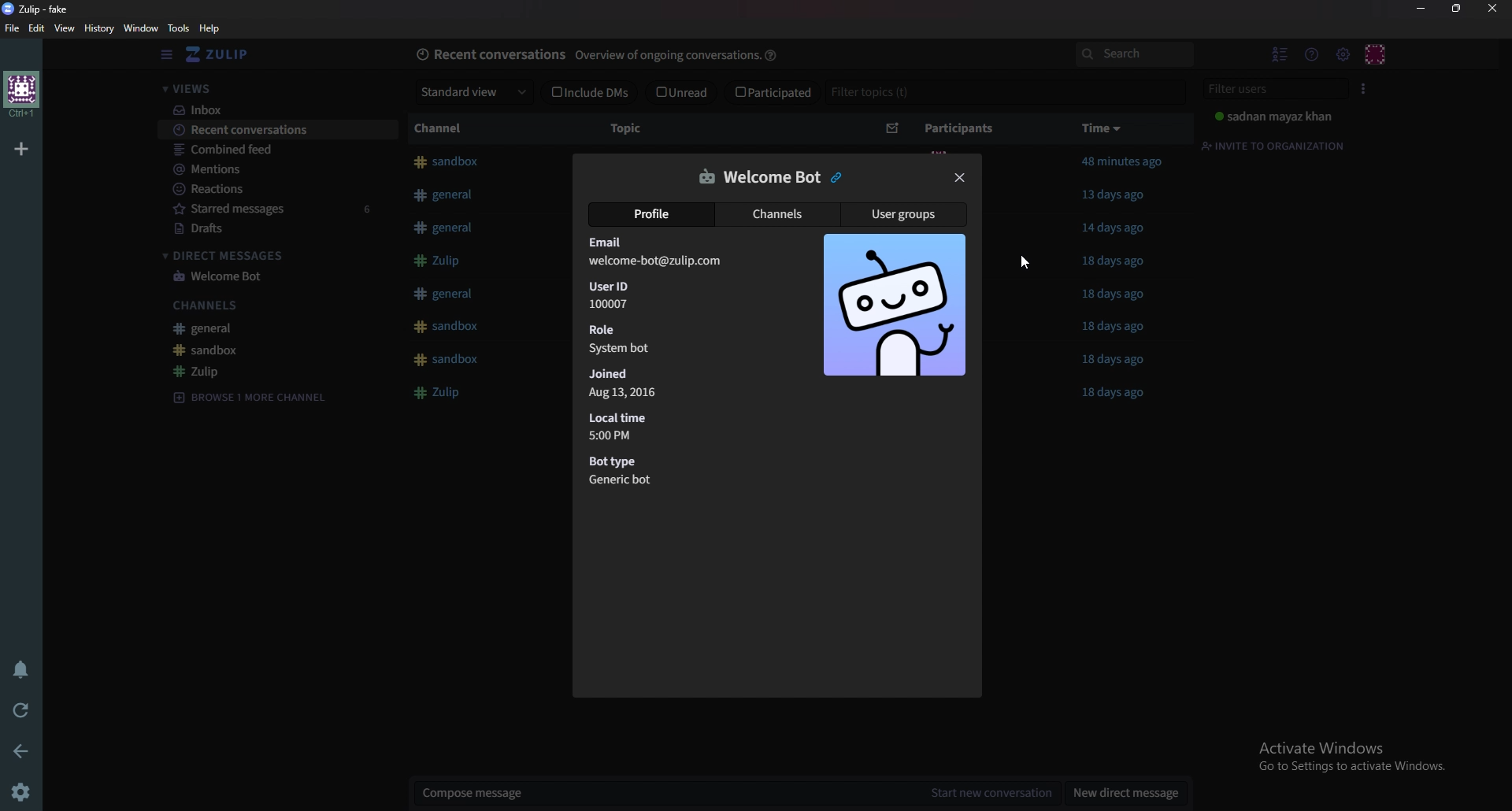 This screenshot has width=1512, height=811. Describe the element at coordinates (179, 28) in the screenshot. I see `Tools` at that location.